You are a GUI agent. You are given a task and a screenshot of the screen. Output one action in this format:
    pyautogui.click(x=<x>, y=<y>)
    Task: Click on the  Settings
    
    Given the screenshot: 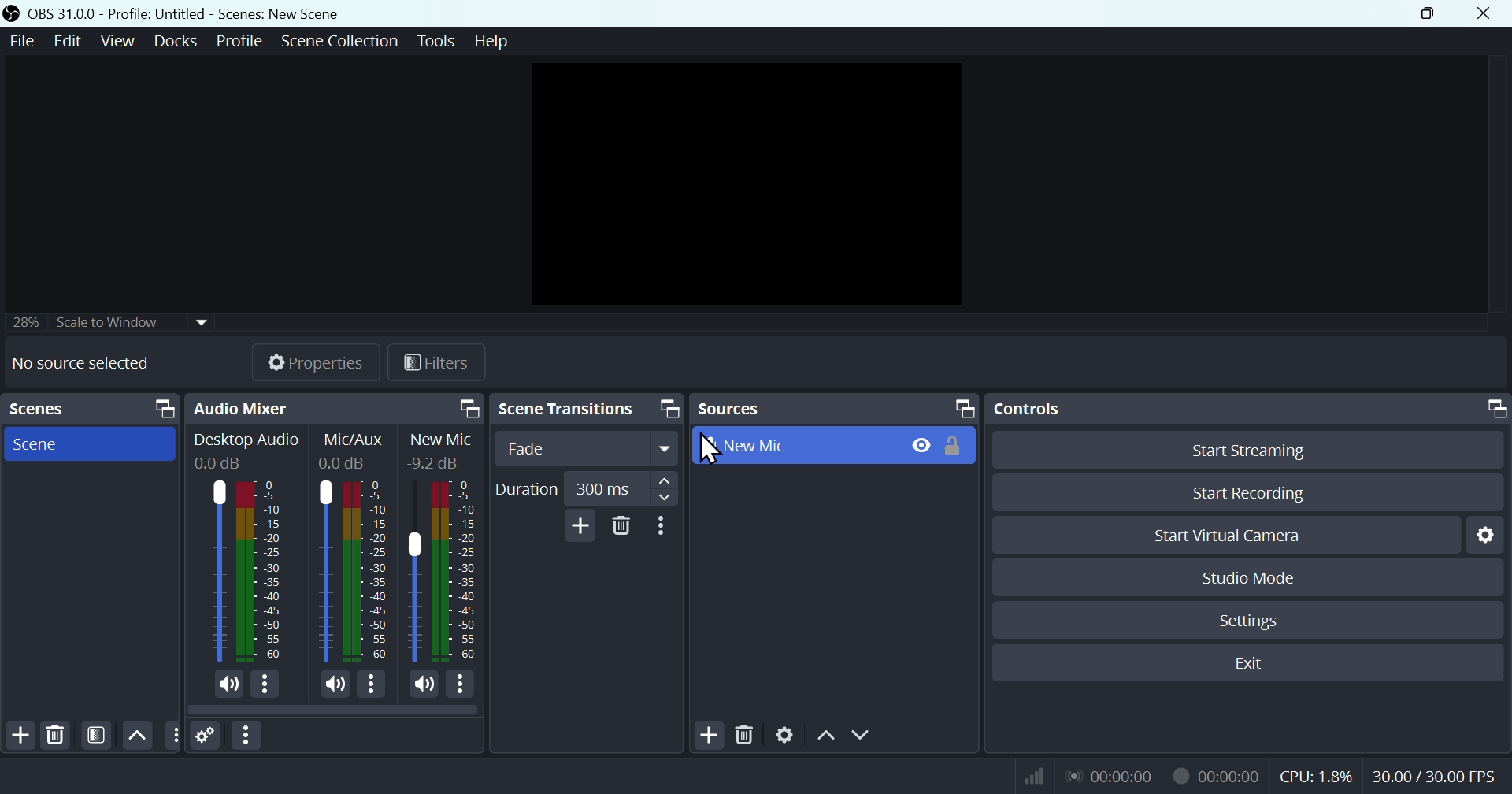 What is the action you would take?
    pyautogui.click(x=784, y=738)
    